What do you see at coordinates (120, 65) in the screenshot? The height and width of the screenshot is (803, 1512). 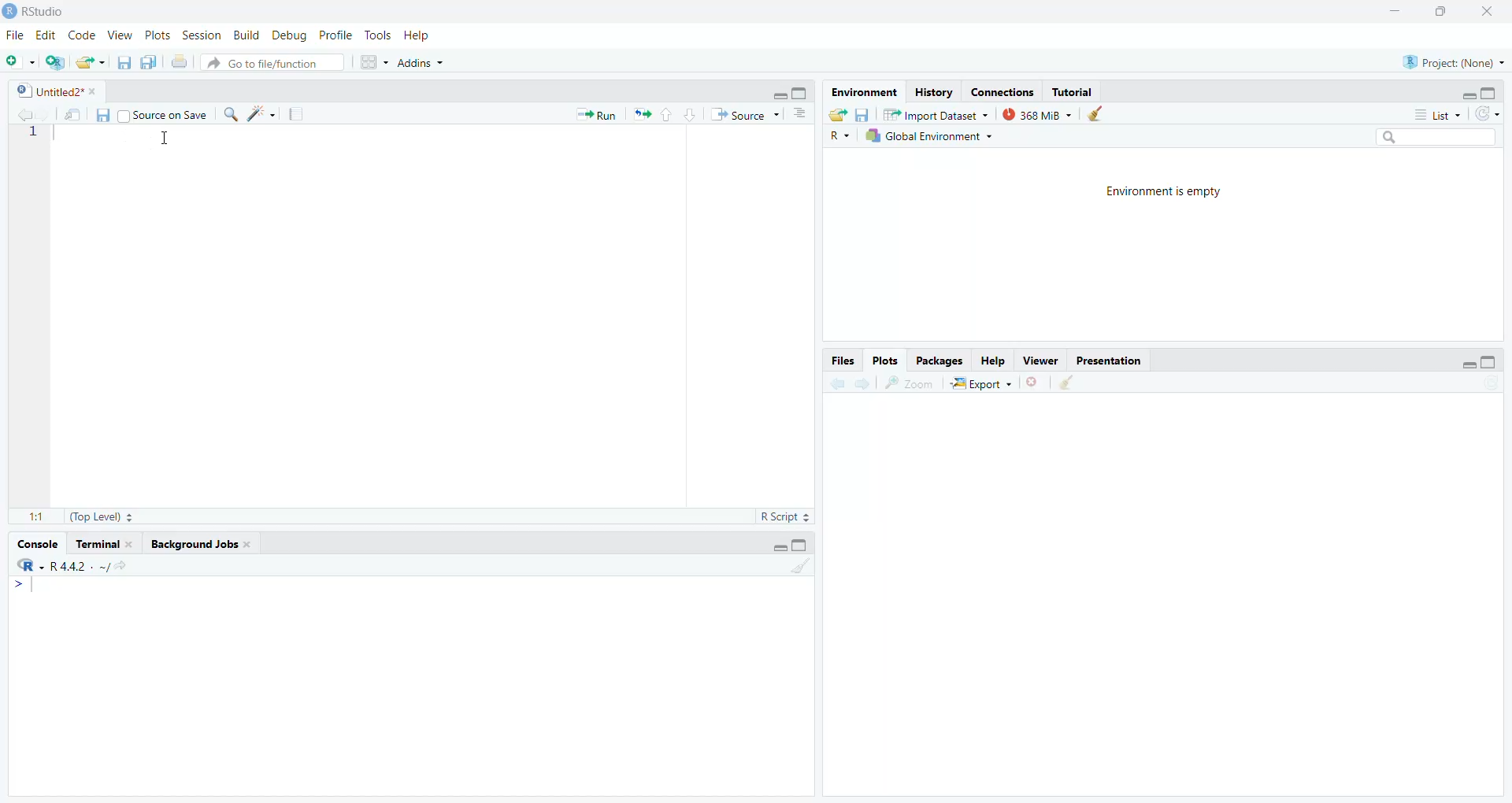 I see `save` at bounding box center [120, 65].